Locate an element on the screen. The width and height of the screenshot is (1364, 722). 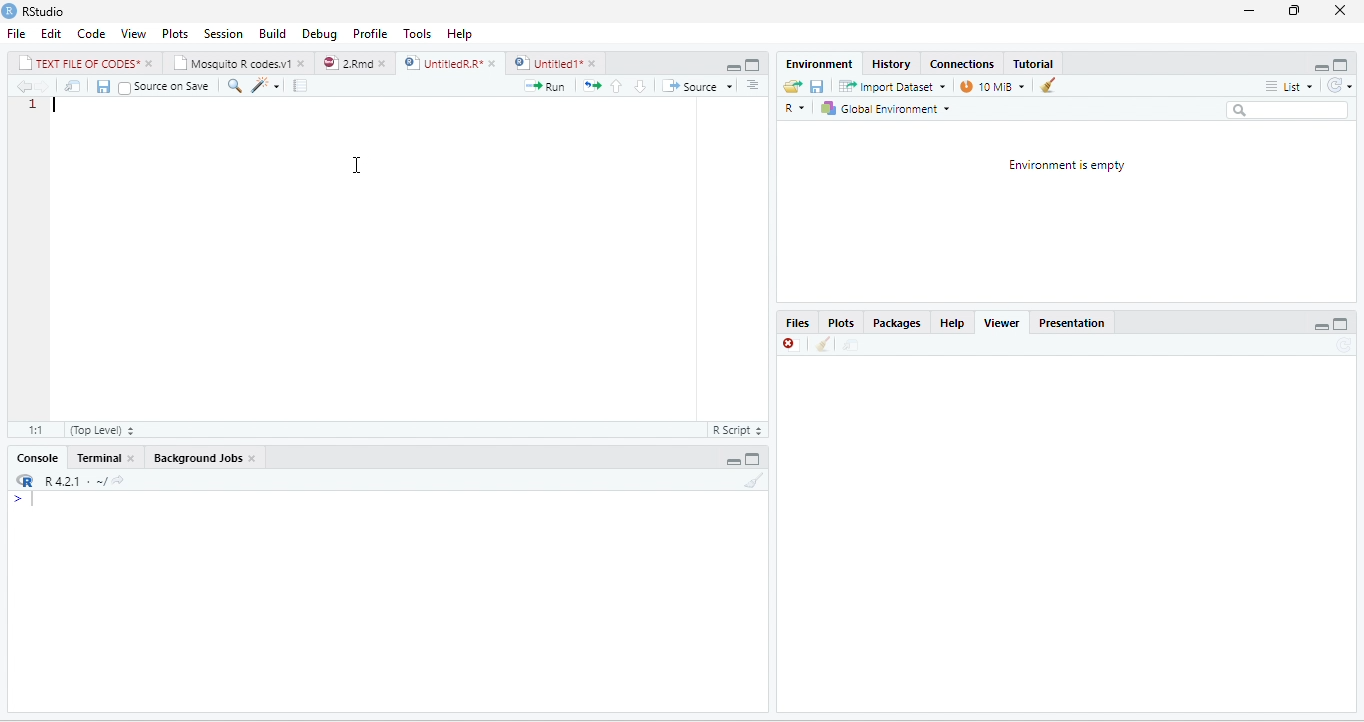
Viewer is located at coordinates (1007, 323).